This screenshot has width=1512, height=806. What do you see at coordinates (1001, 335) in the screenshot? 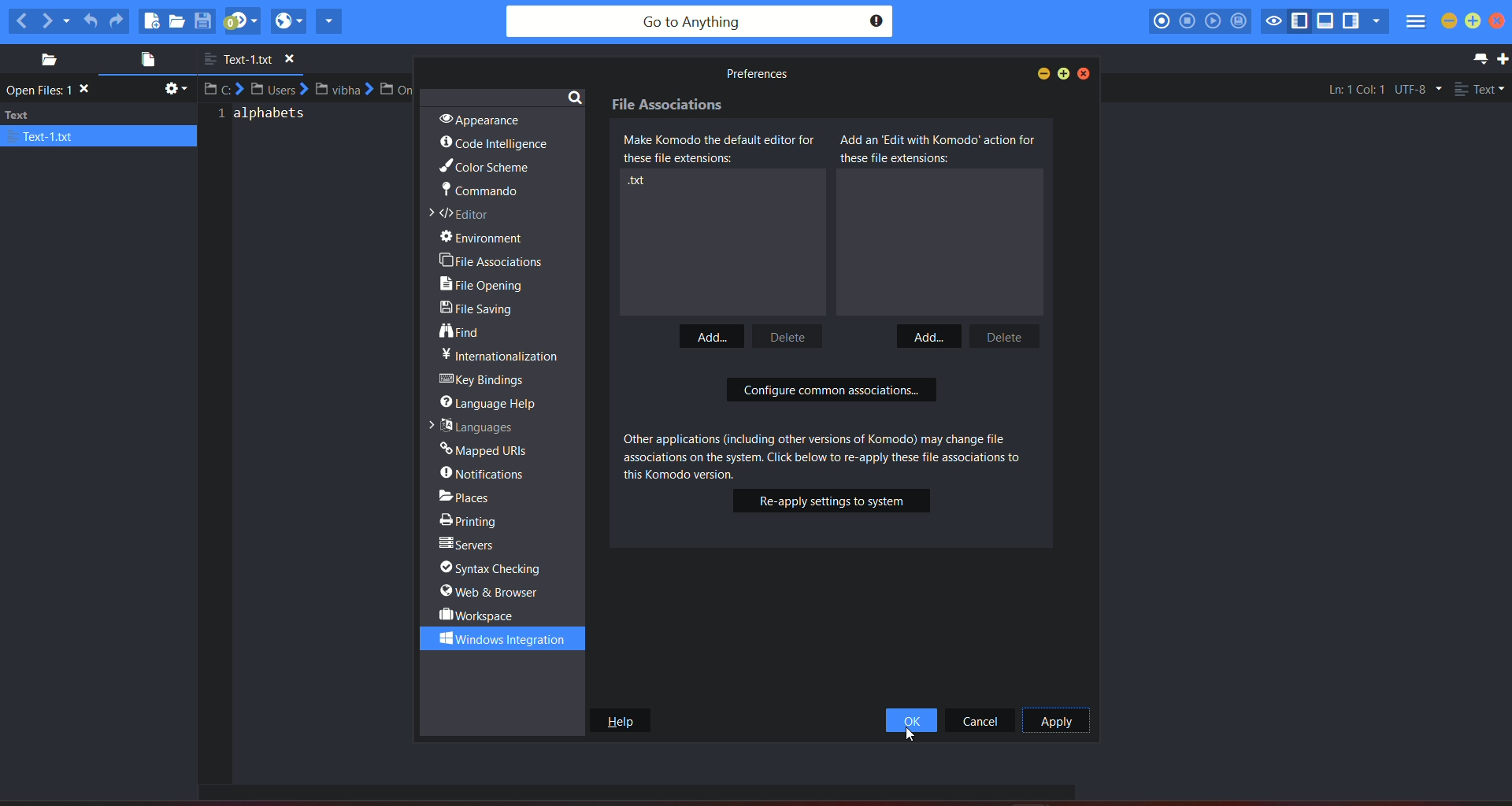
I see `delete` at bounding box center [1001, 335].